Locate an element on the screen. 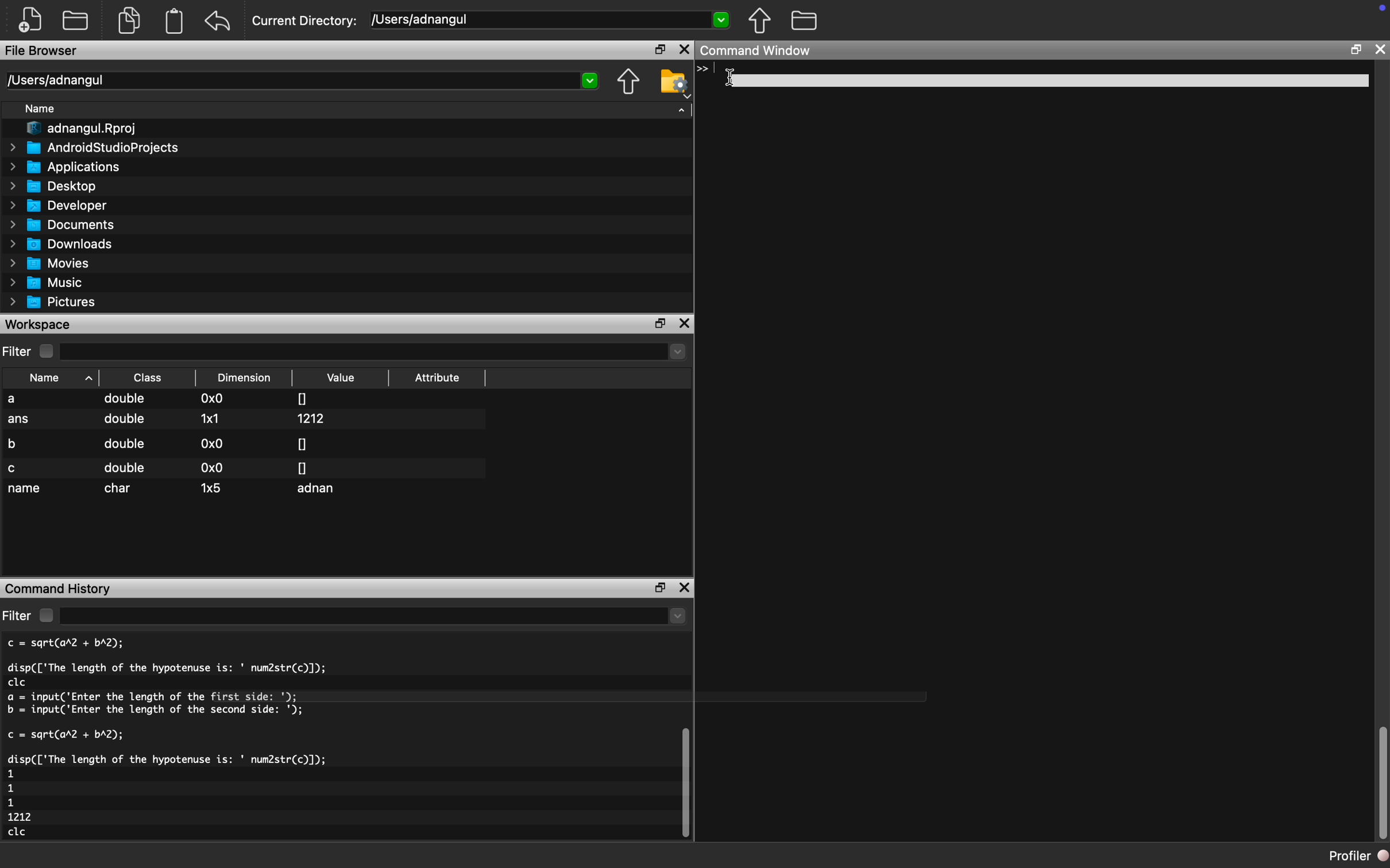 The height and width of the screenshot is (868, 1390). Documents is located at coordinates (65, 224).